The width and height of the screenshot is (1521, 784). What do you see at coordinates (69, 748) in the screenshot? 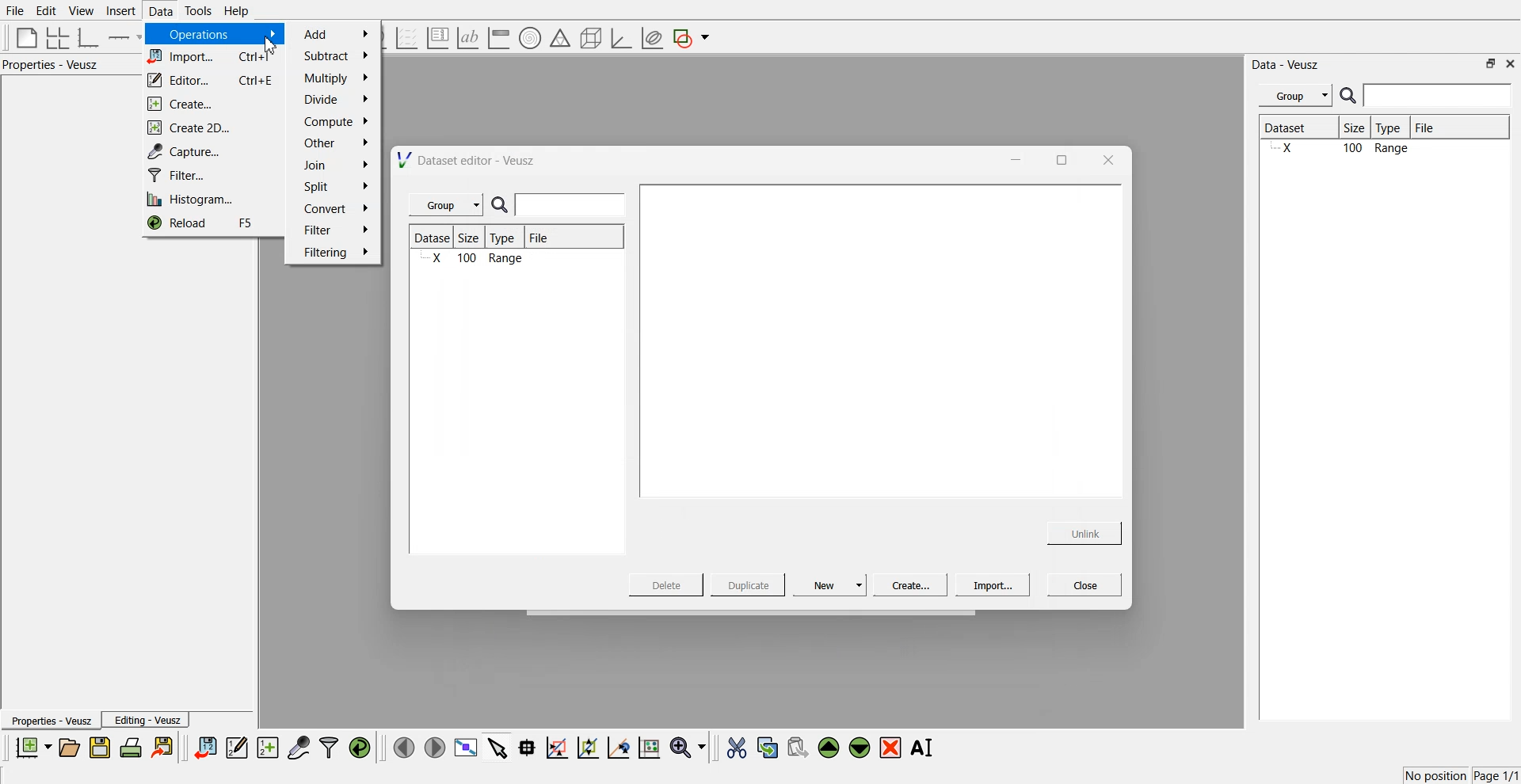
I see `open` at bounding box center [69, 748].